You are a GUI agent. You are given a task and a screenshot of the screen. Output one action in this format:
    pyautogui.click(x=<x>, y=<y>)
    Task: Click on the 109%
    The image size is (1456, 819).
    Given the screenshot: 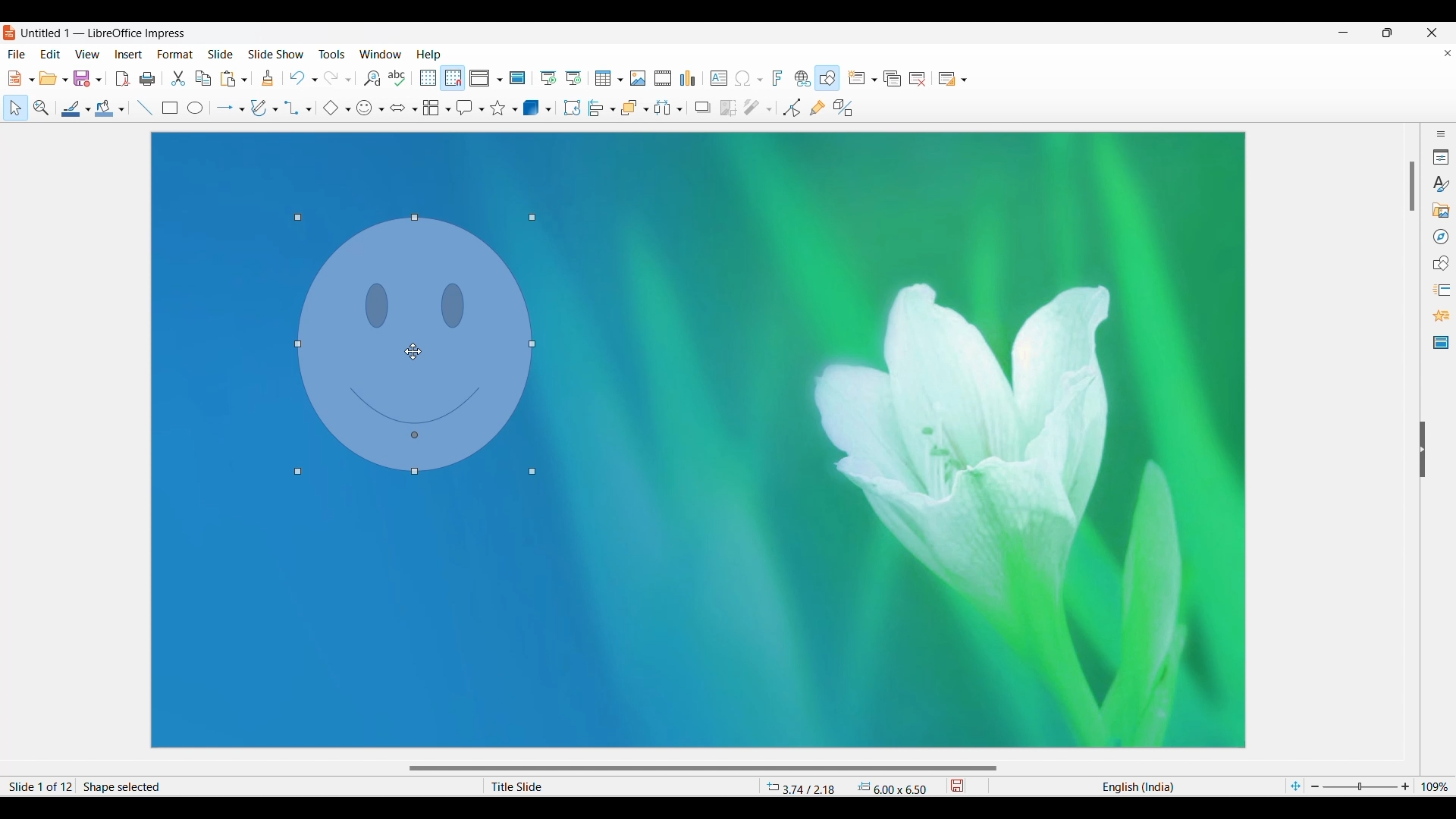 What is the action you would take?
    pyautogui.click(x=1436, y=786)
    